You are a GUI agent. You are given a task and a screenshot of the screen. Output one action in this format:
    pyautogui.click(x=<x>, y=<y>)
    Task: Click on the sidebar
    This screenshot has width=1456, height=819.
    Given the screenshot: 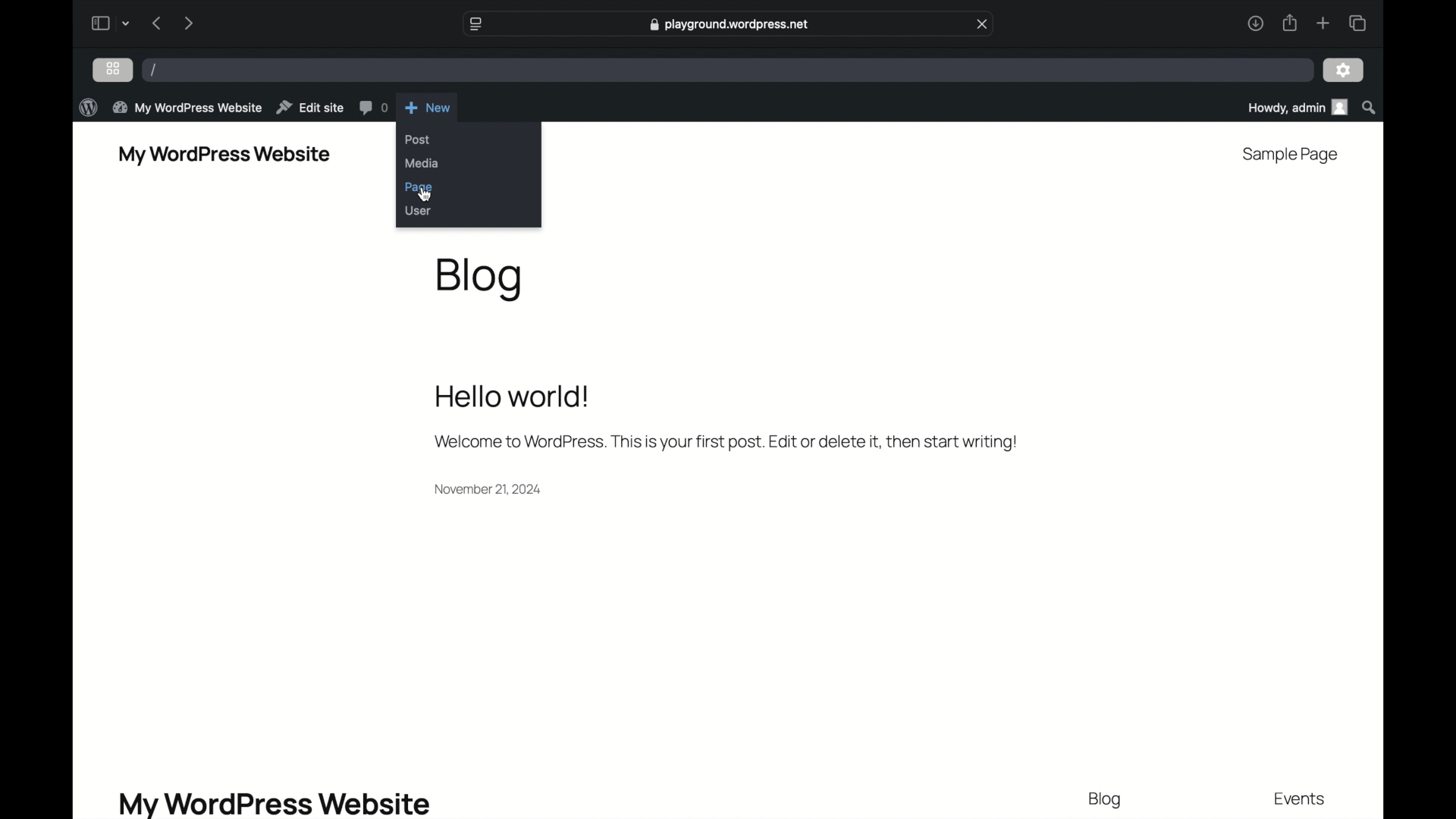 What is the action you would take?
    pyautogui.click(x=99, y=23)
    